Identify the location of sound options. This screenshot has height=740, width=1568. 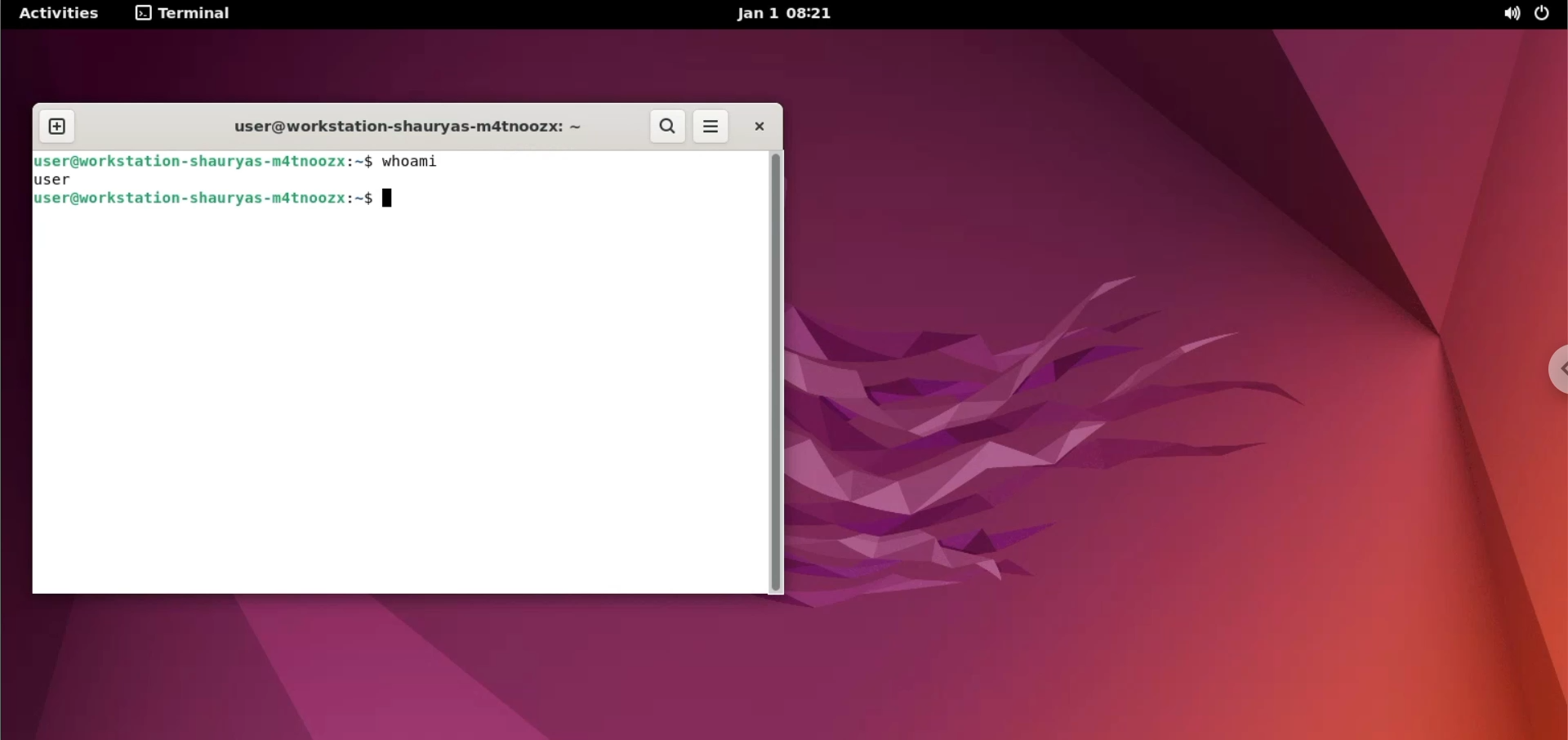
(1507, 16).